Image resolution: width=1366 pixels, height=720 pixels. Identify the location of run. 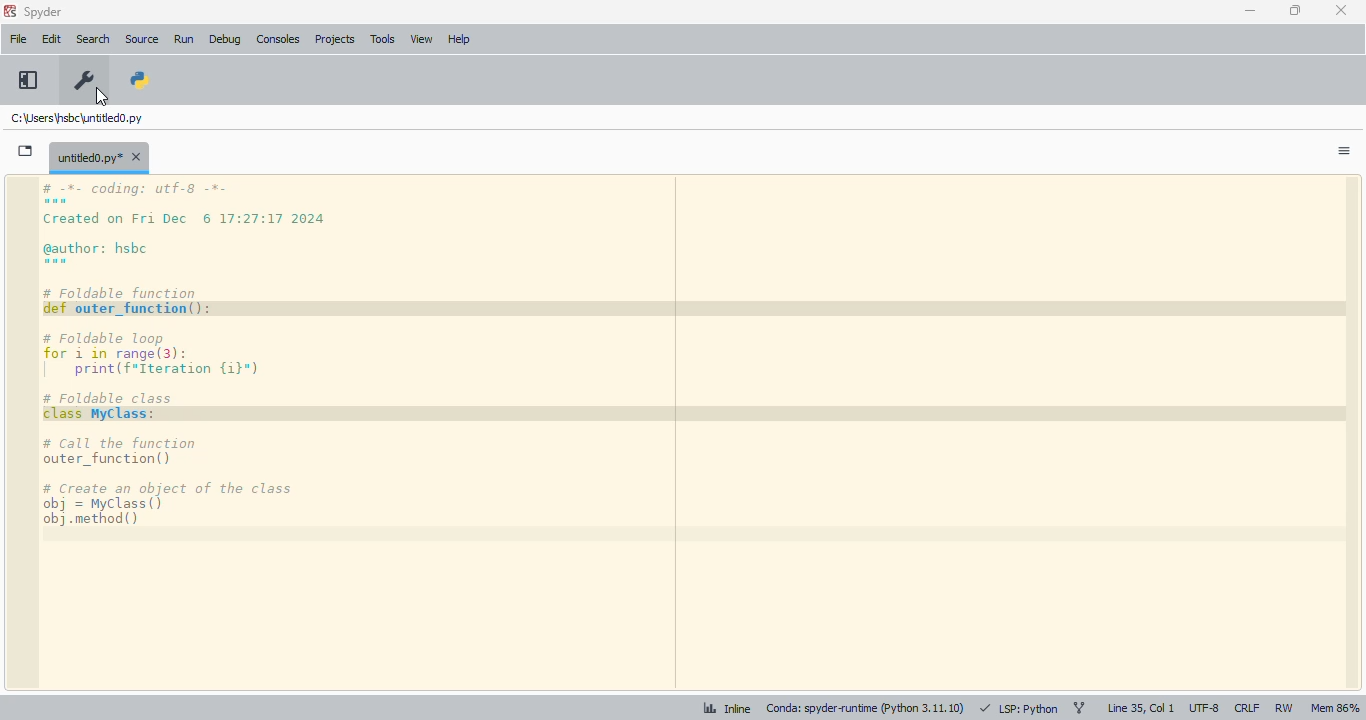
(184, 39).